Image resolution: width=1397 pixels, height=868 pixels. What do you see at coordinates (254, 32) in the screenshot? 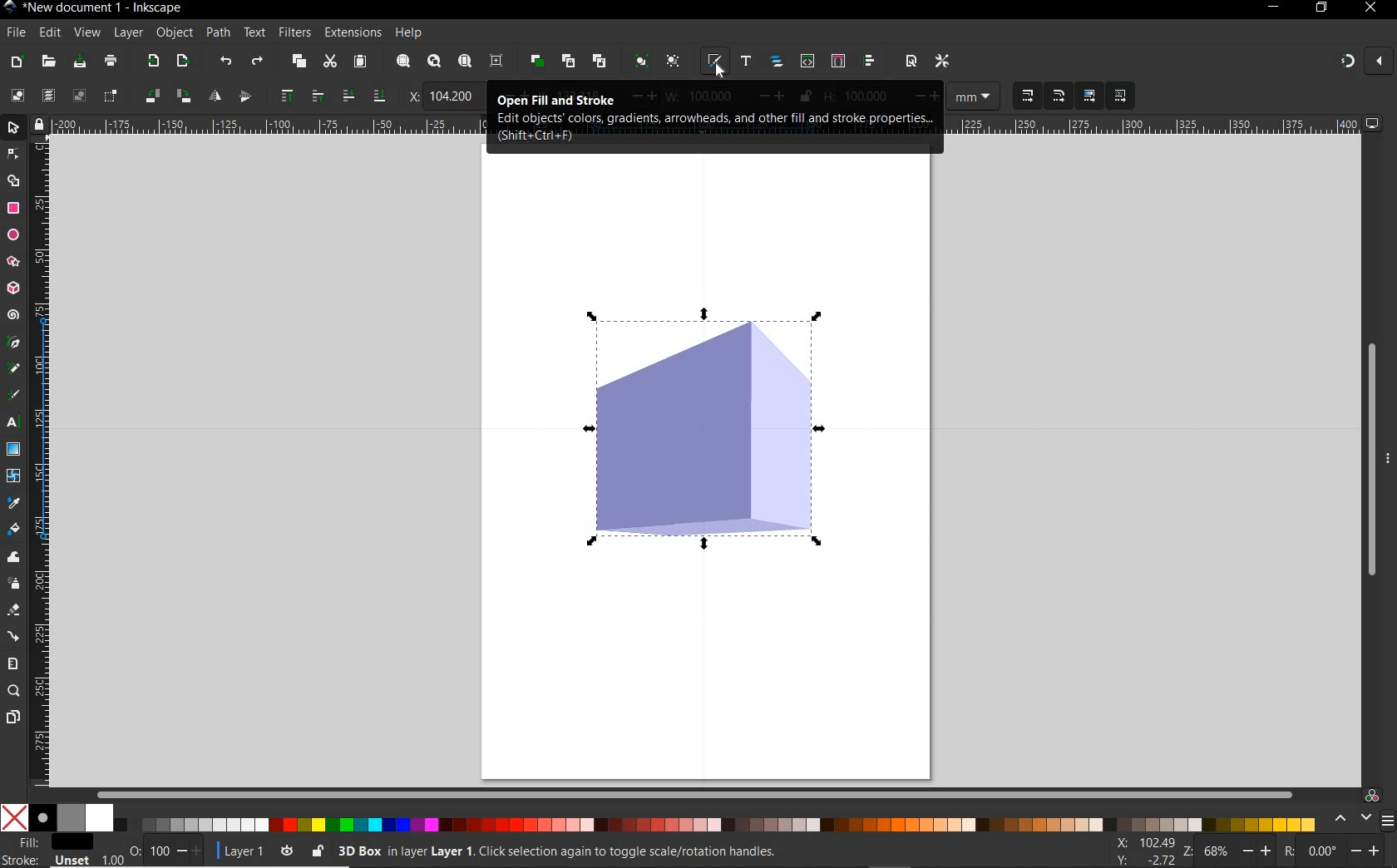
I see `TEXT` at bounding box center [254, 32].